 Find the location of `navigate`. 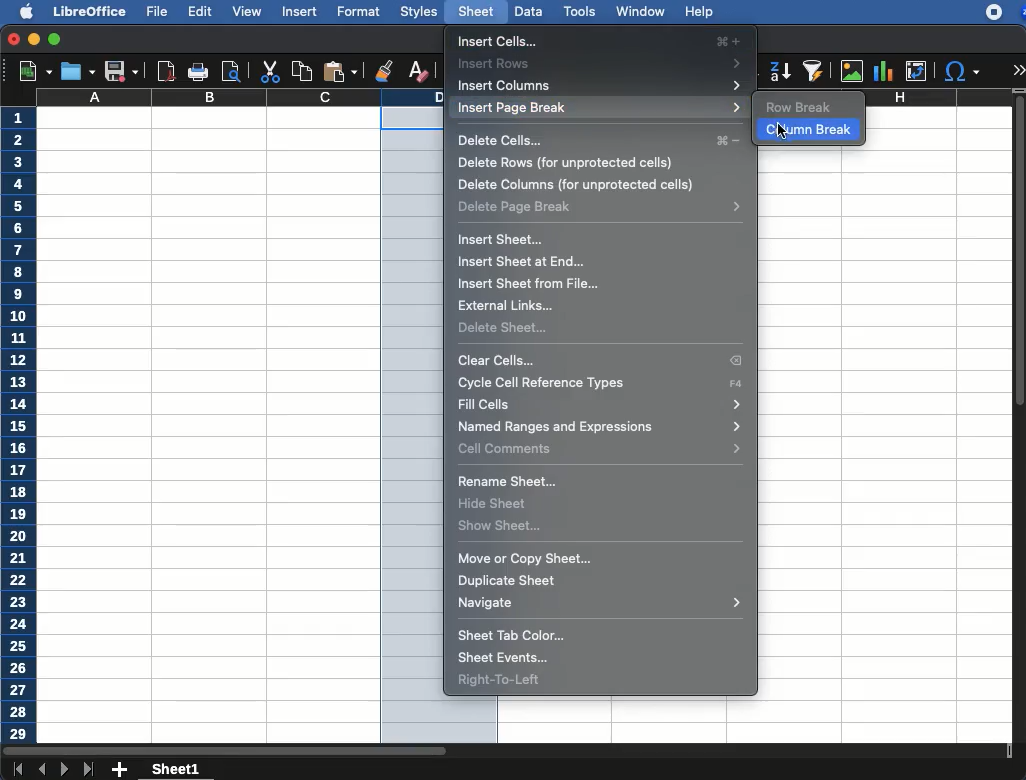

navigate is located at coordinates (603, 605).